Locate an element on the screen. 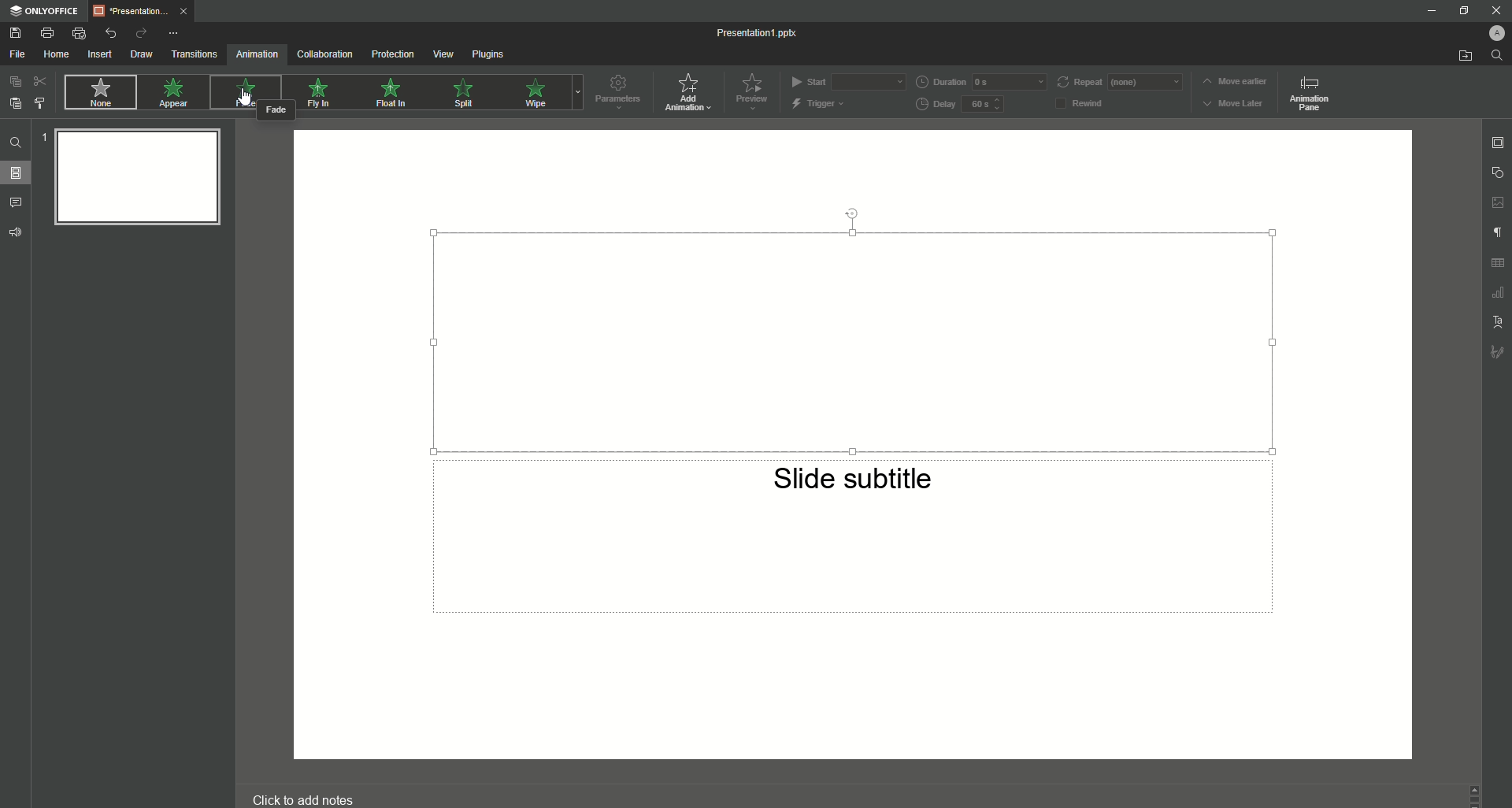 The width and height of the screenshot is (1512, 808). Slides is located at coordinates (17, 173).